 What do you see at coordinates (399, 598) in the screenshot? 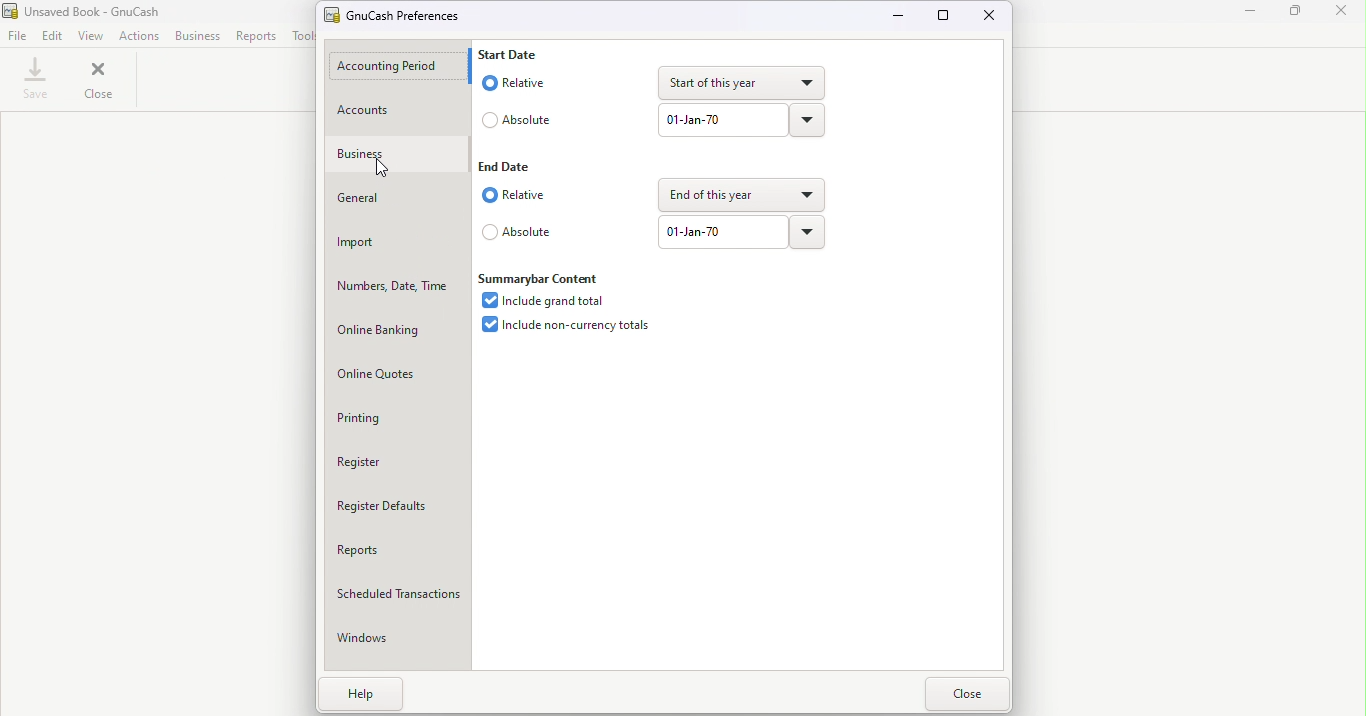
I see `Scheduled transactions` at bounding box center [399, 598].